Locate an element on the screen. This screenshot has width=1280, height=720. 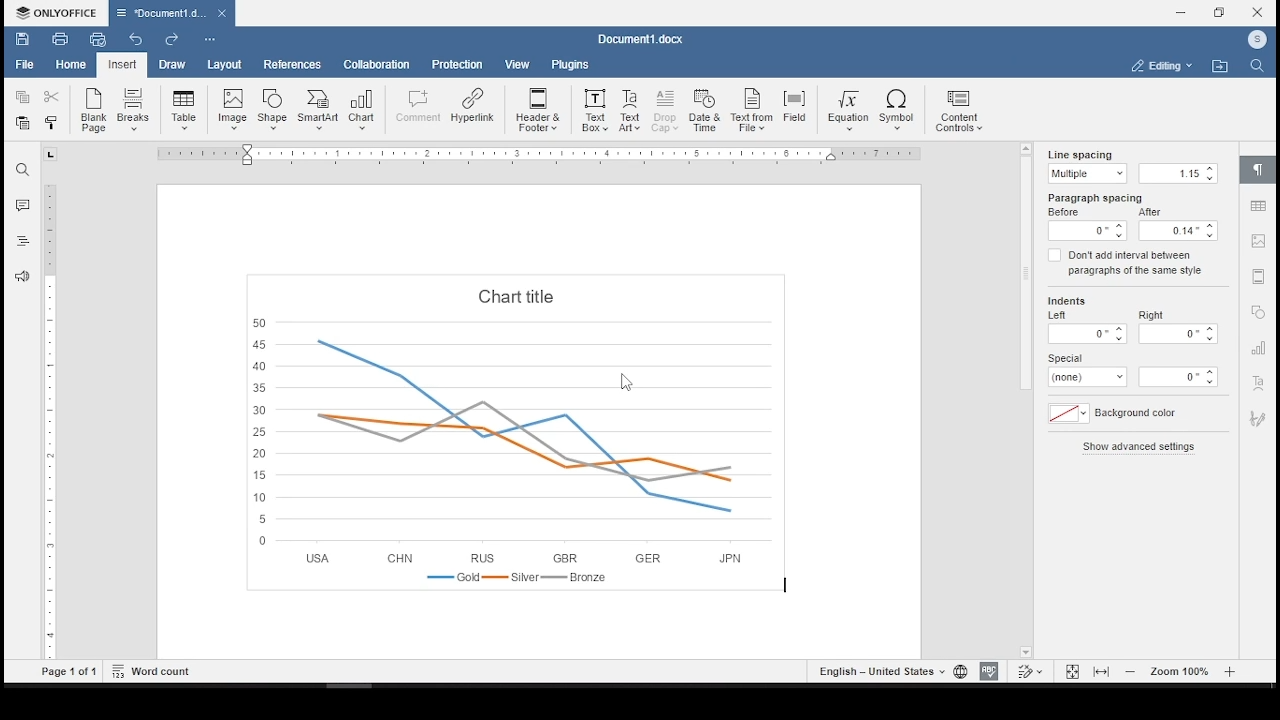
quick print is located at coordinates (101, 42).